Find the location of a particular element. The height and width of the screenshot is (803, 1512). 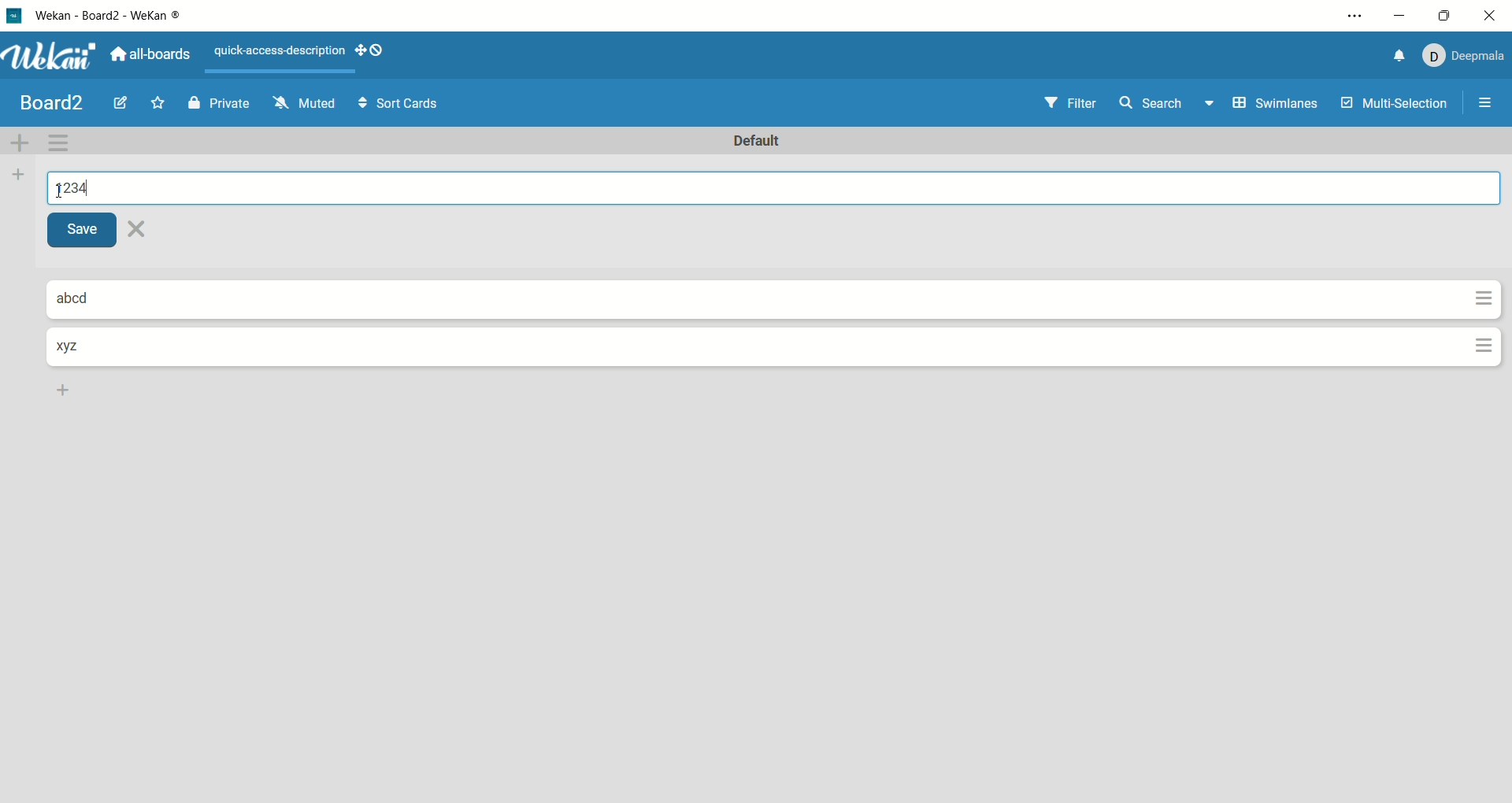

title is located at coordinates (53, 102).